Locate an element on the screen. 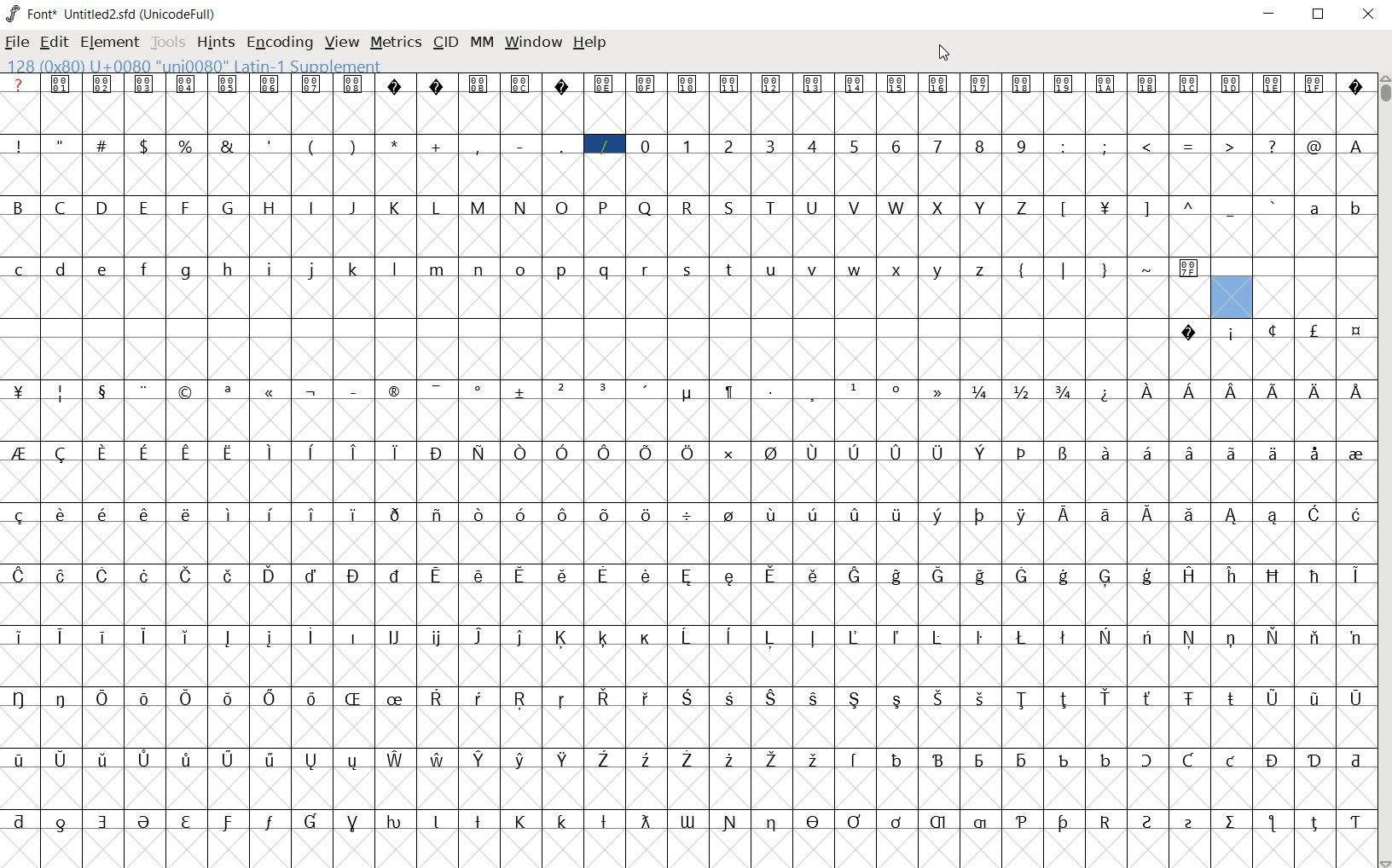 This screenshot has width=1392, height=868. glyph is located at coordinates (1106, 84).